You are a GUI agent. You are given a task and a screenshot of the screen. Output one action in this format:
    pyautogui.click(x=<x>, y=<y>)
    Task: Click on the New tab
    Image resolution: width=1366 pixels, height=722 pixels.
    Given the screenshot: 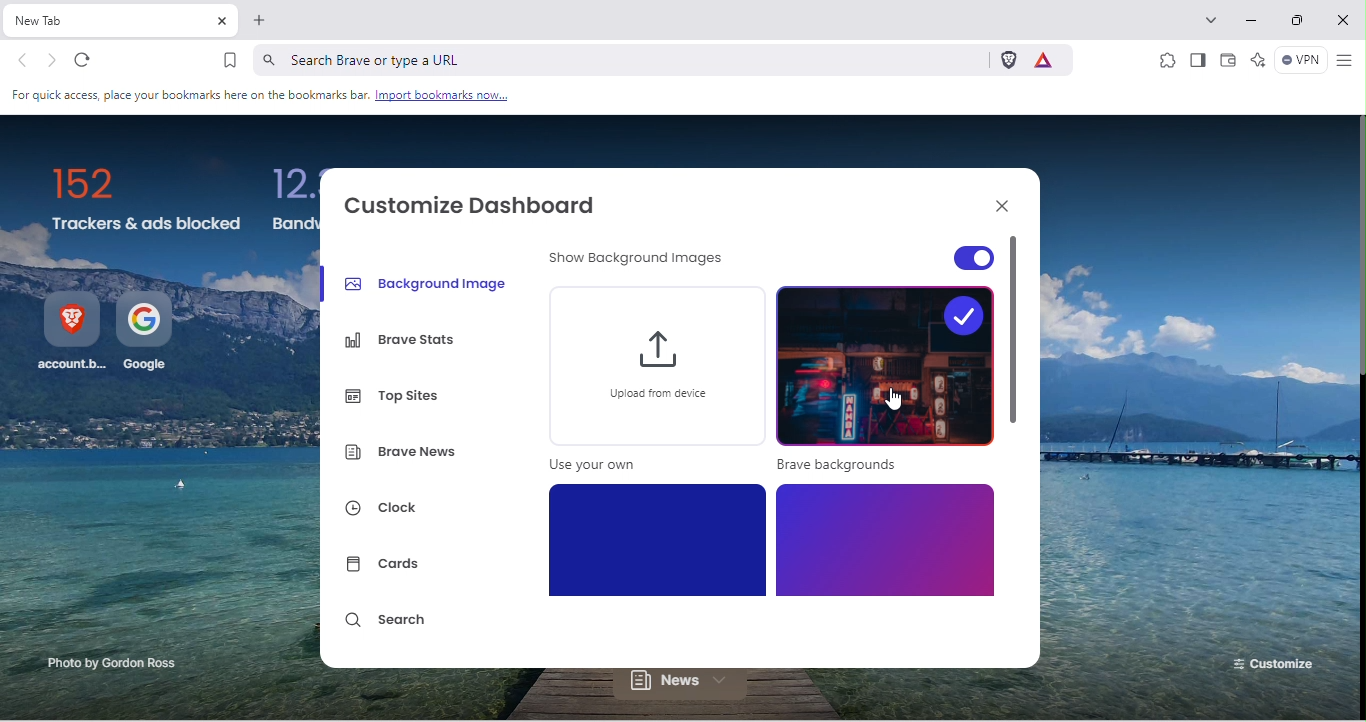 What is the action you would take?
    pyautogui.click(x=107, y=21)
    